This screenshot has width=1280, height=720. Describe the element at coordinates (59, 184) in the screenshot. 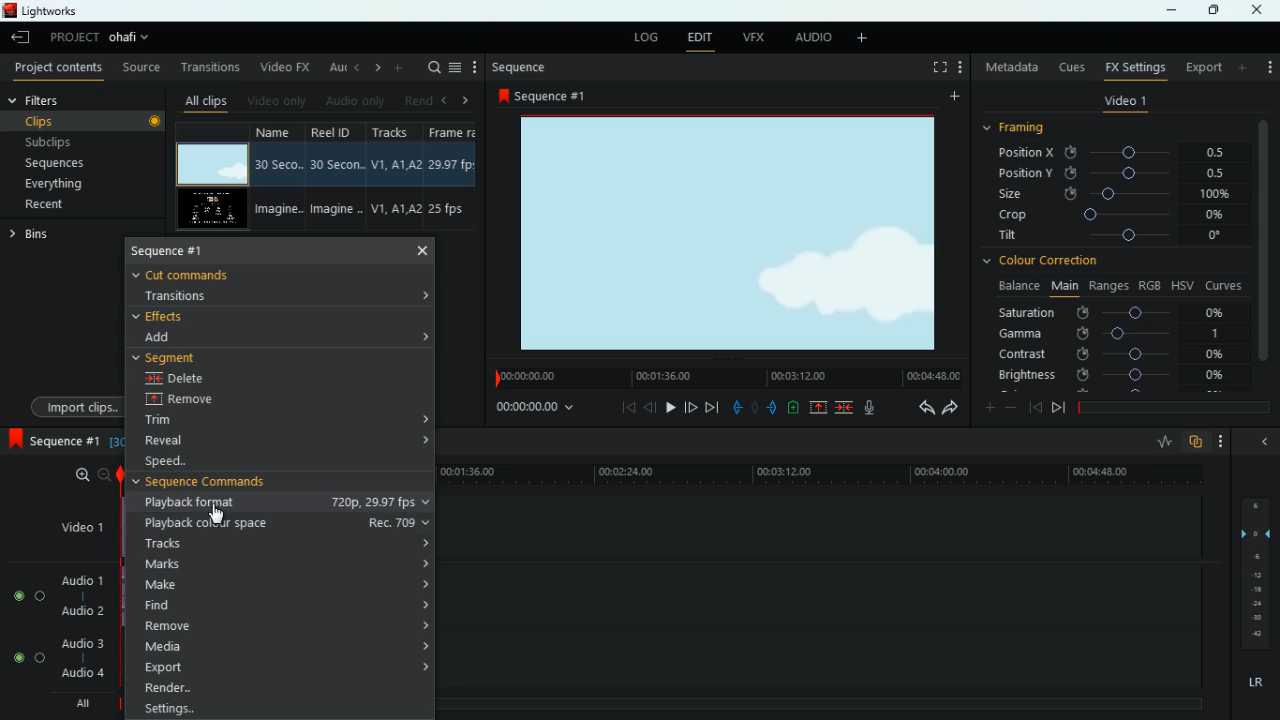

I see `everything` at that location.